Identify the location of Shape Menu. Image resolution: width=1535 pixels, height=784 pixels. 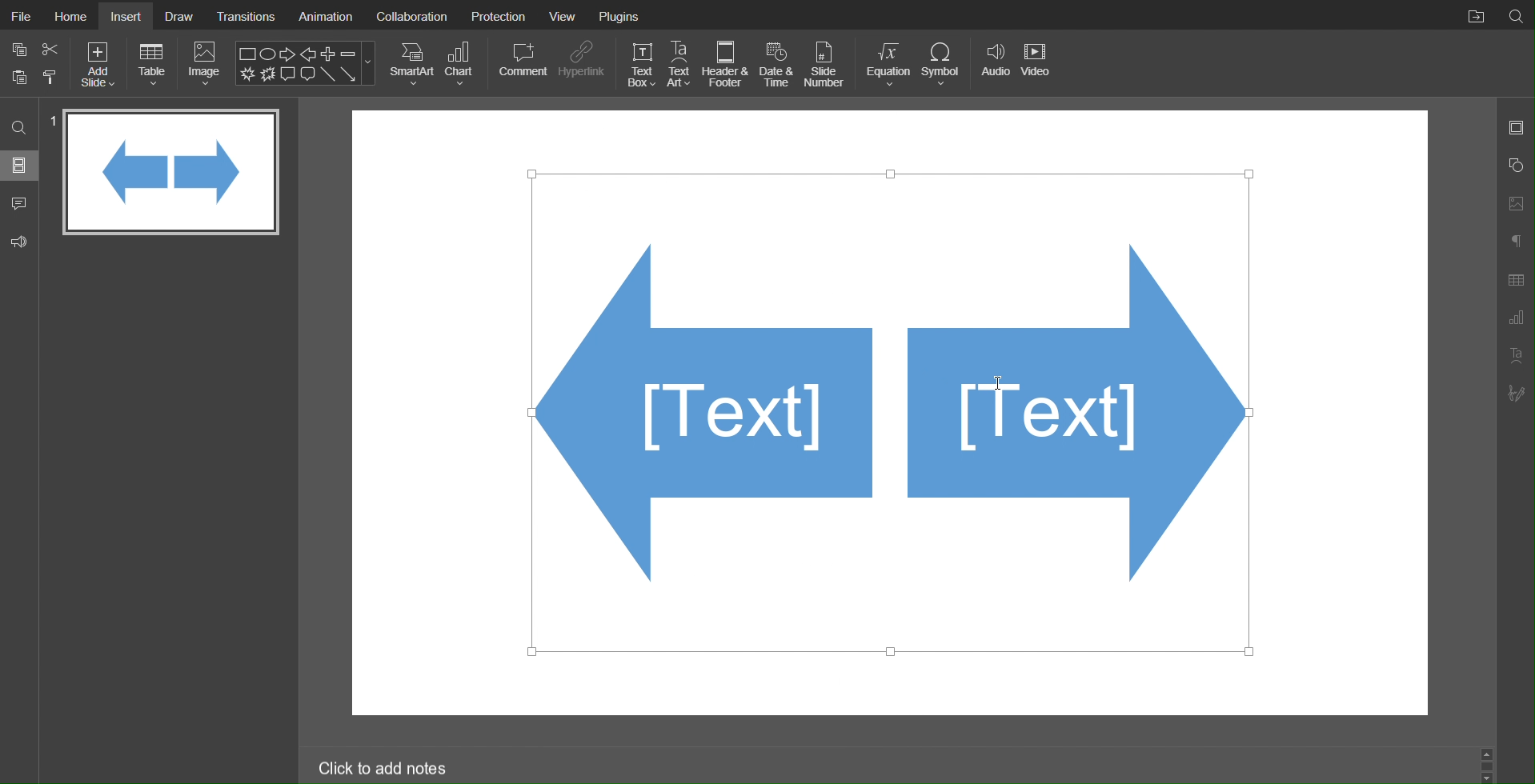
(306, 62).